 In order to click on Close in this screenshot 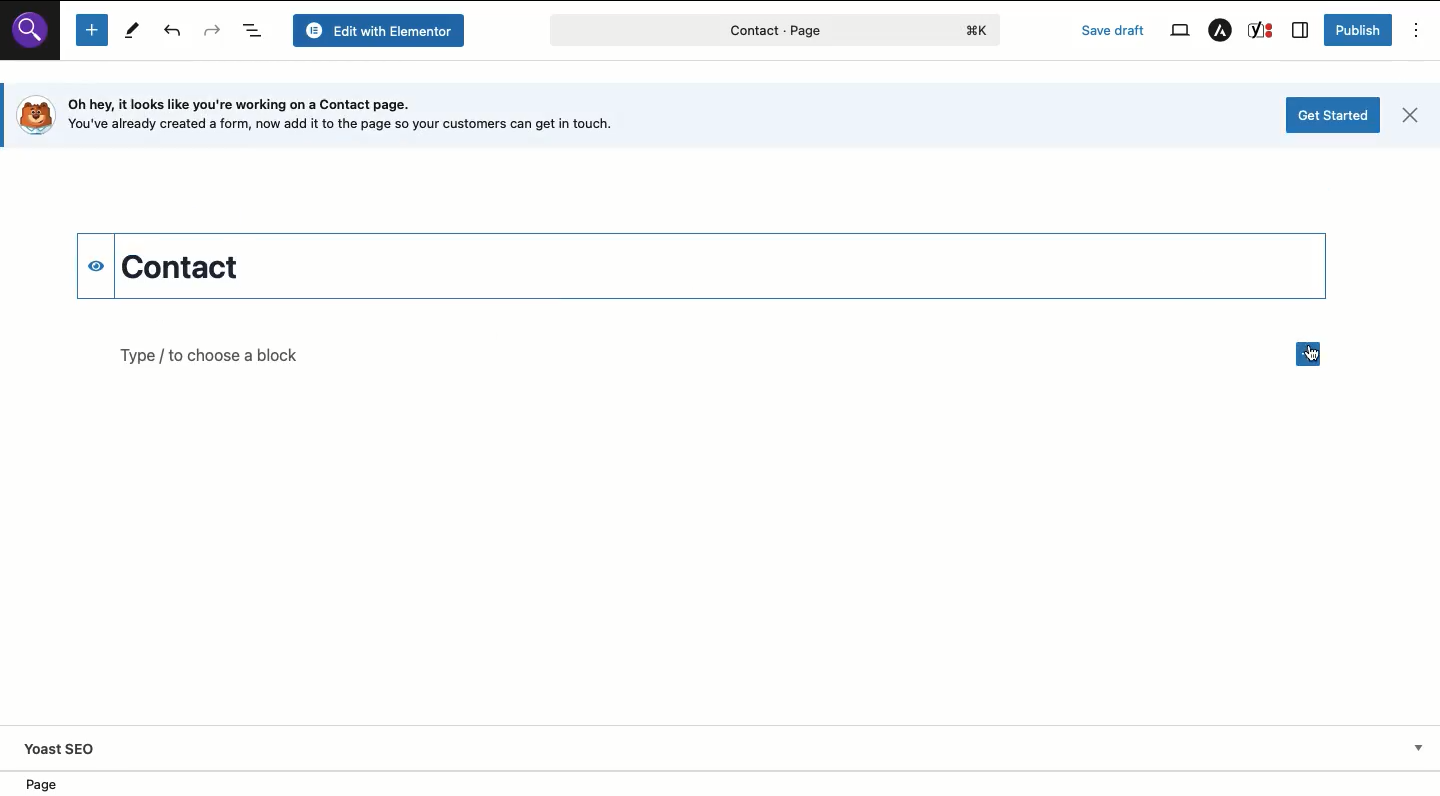, I will do `click(1409, 118)`.